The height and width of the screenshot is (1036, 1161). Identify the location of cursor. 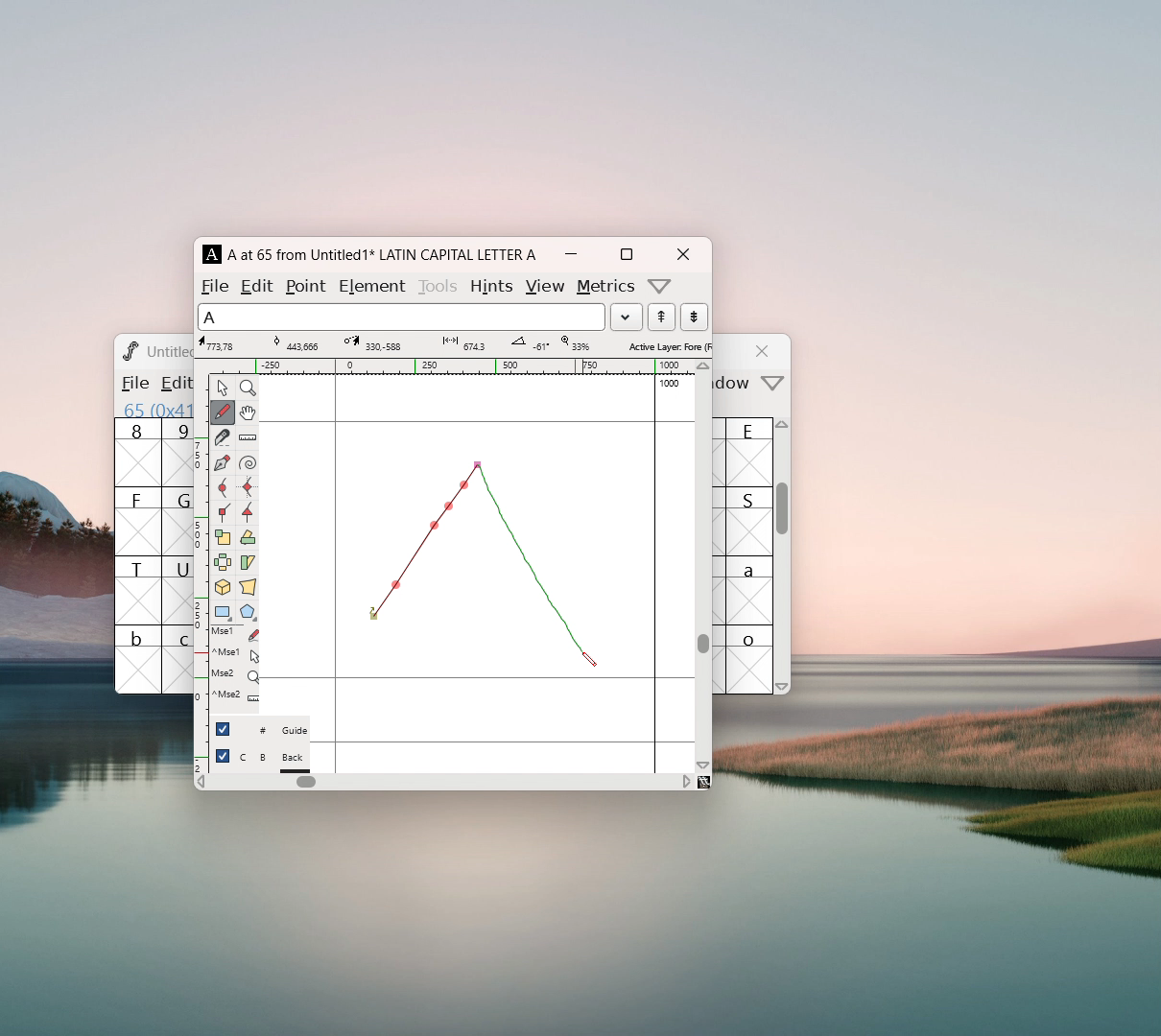
(589, 660).